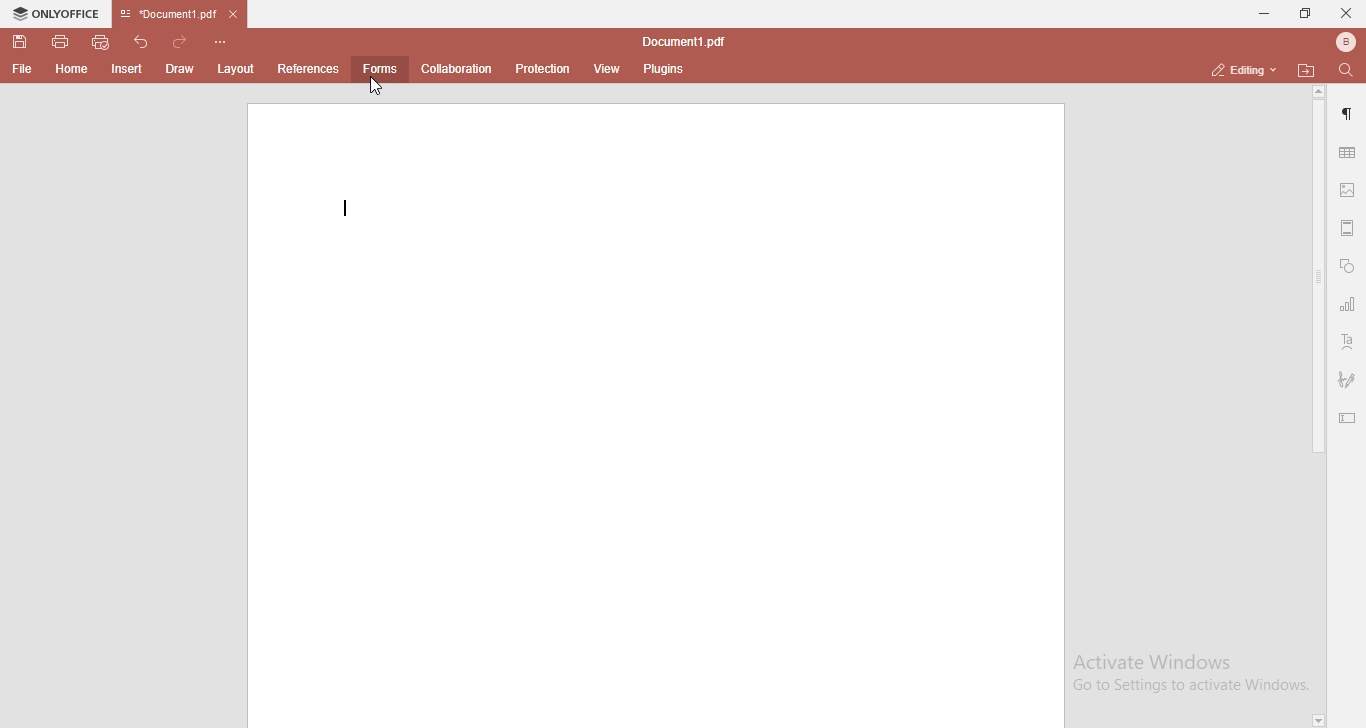 This screenshot has height=728, width=1366. What do you see at coordinates (1347, 268) in the screenshot?
I see `shapes` at bounding box center [1347, 268].